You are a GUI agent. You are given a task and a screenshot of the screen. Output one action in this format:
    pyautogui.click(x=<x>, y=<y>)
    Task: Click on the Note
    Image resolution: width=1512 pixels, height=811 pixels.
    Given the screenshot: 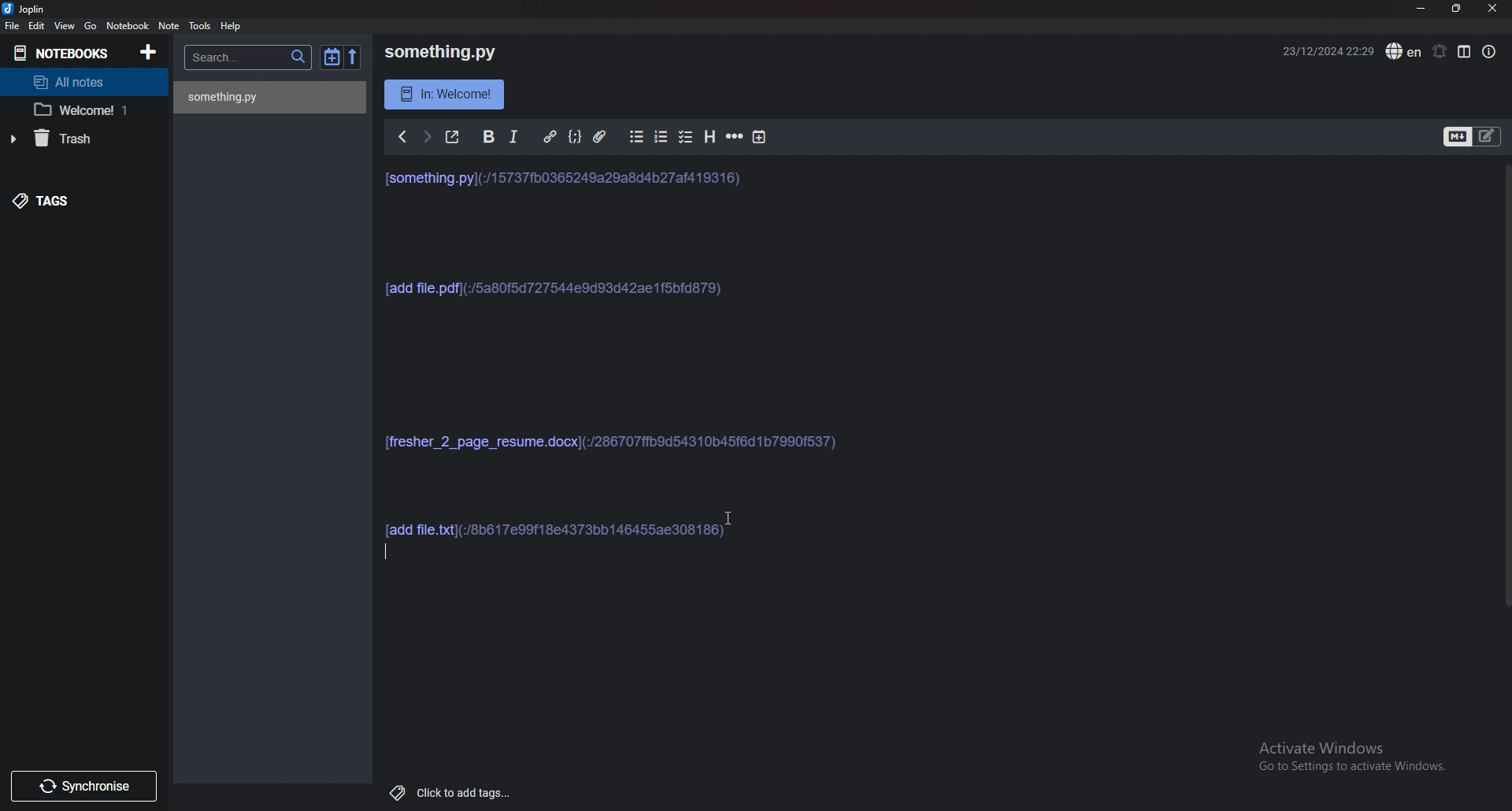 What is the action you would take?
    pyautogui.click(x=169, y=27)
    